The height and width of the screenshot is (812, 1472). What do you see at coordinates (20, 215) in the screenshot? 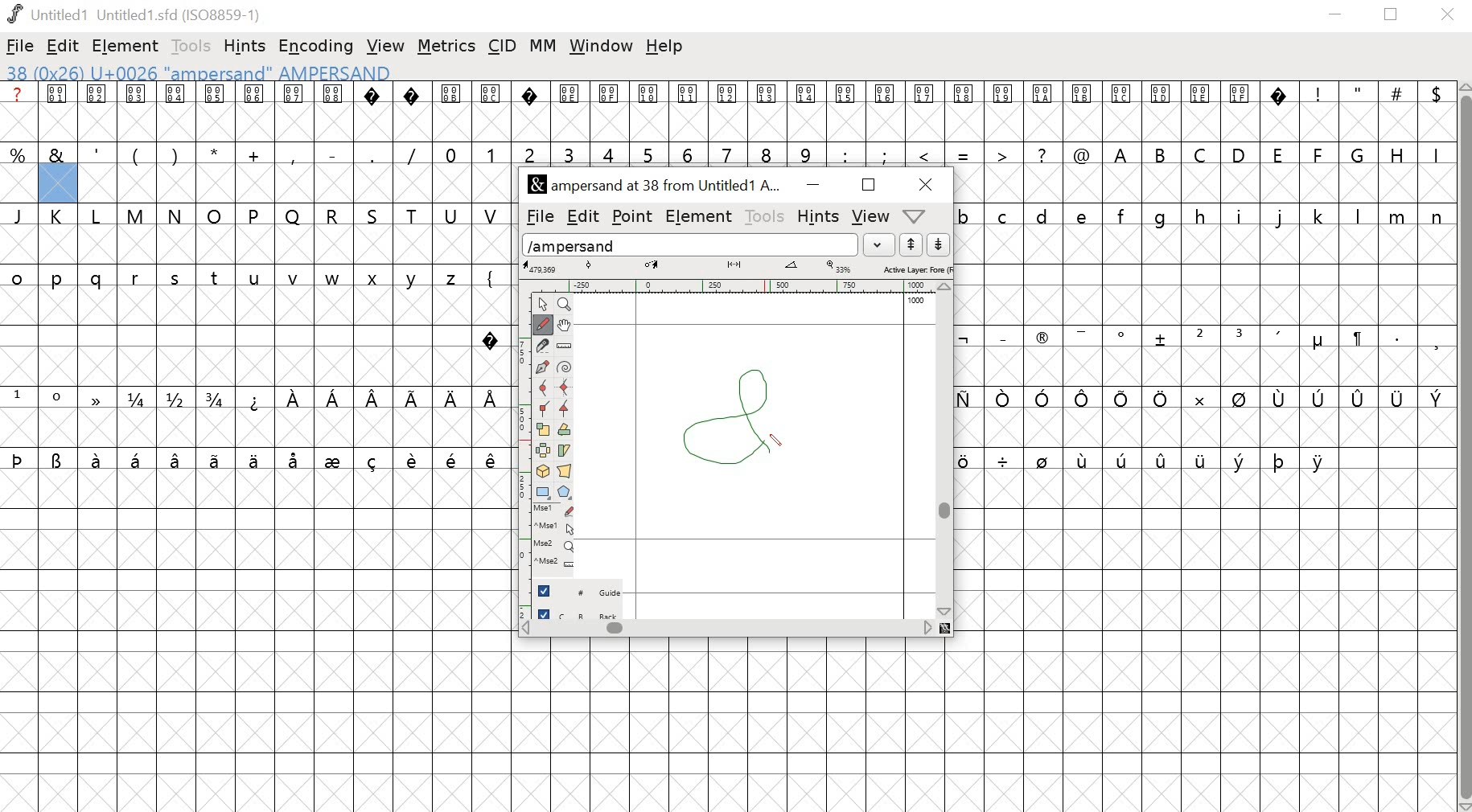
I see `J` at bounding box center [20, 215].